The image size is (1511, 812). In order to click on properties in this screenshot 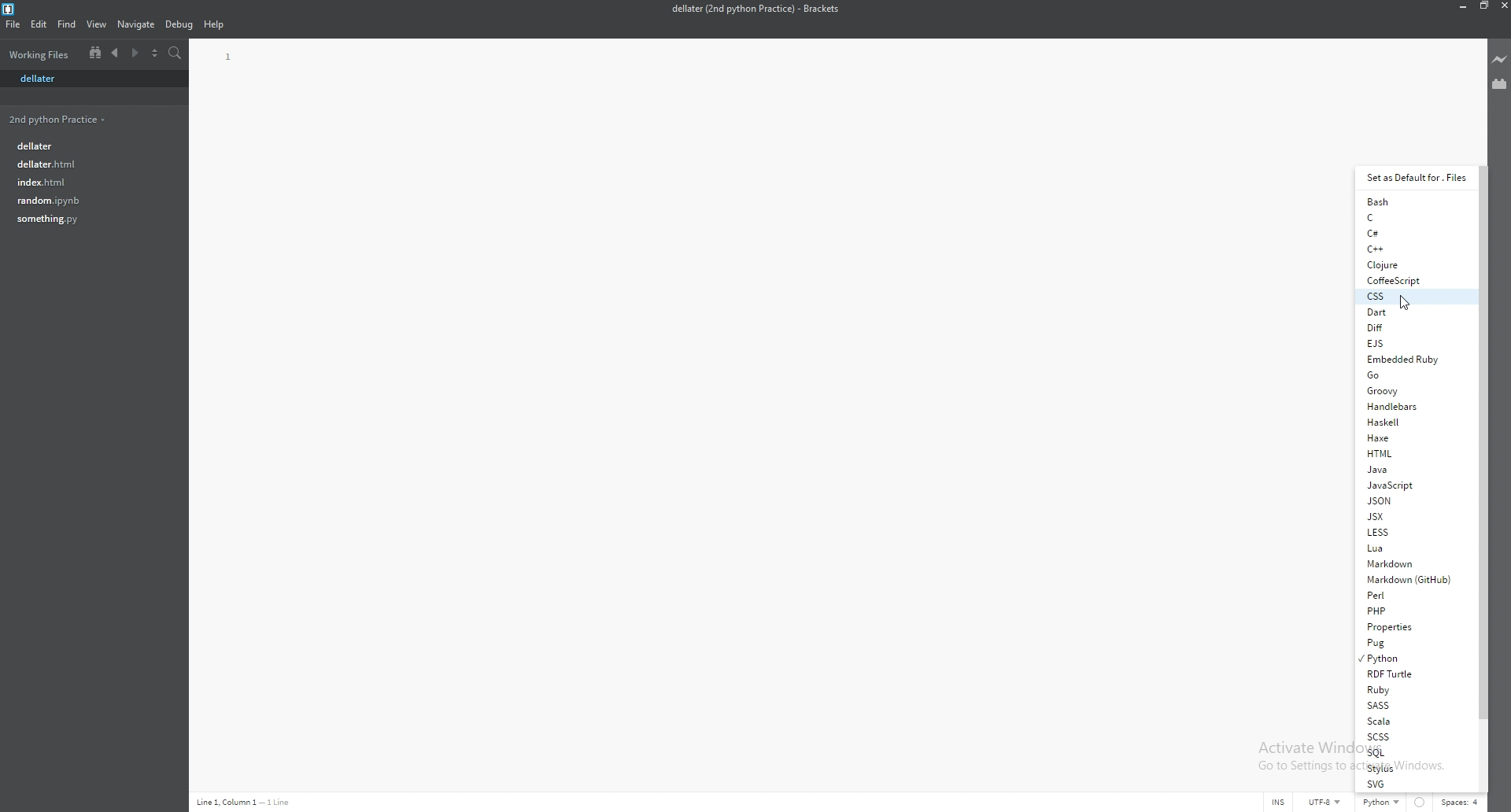, I will do `click(1416, 627)`.